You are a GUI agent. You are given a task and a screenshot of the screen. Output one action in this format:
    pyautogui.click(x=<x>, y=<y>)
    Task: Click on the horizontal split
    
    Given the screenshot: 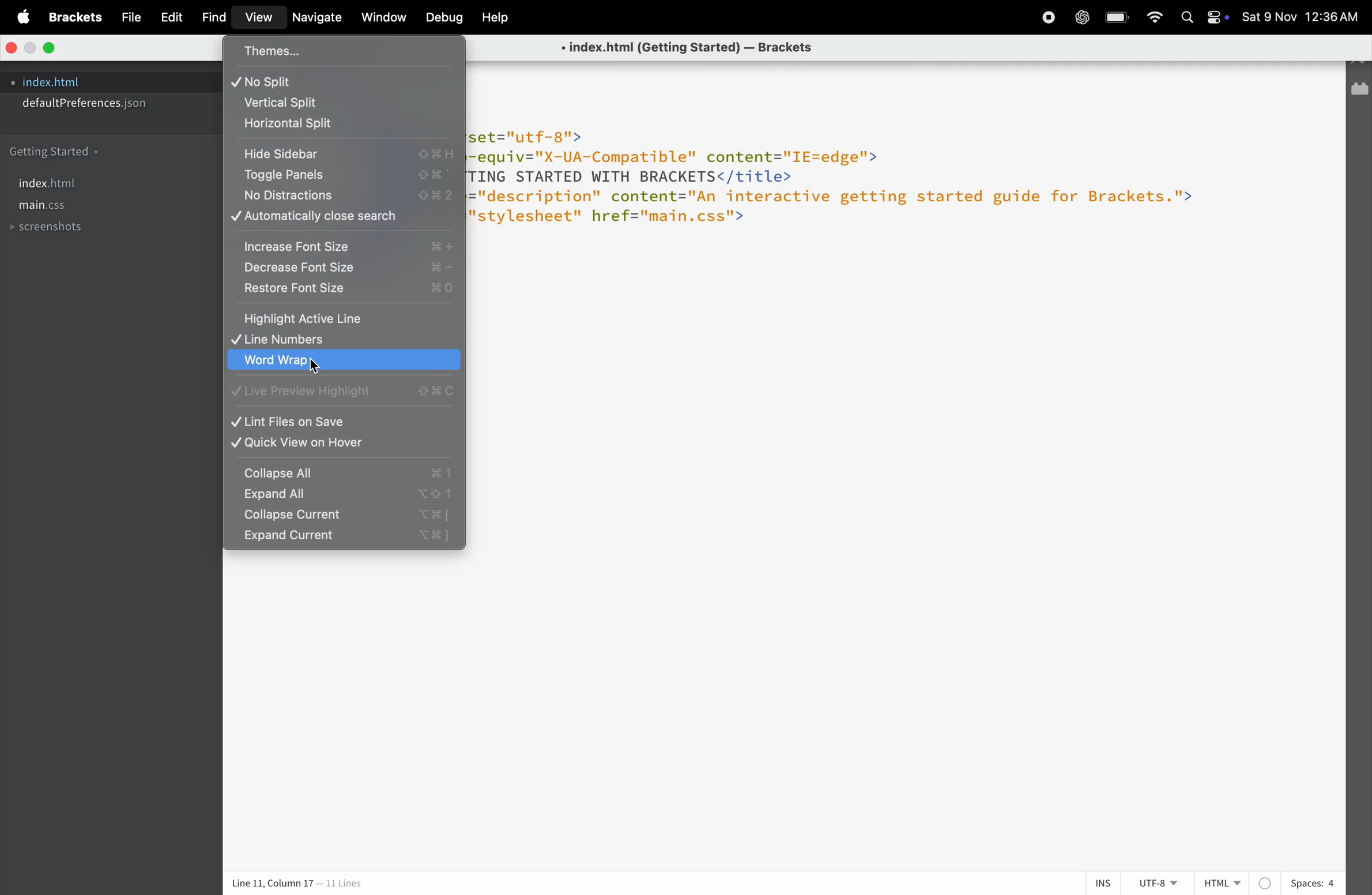 What is the action you would take?
    pyautogui.click(x=346, y=126)
    